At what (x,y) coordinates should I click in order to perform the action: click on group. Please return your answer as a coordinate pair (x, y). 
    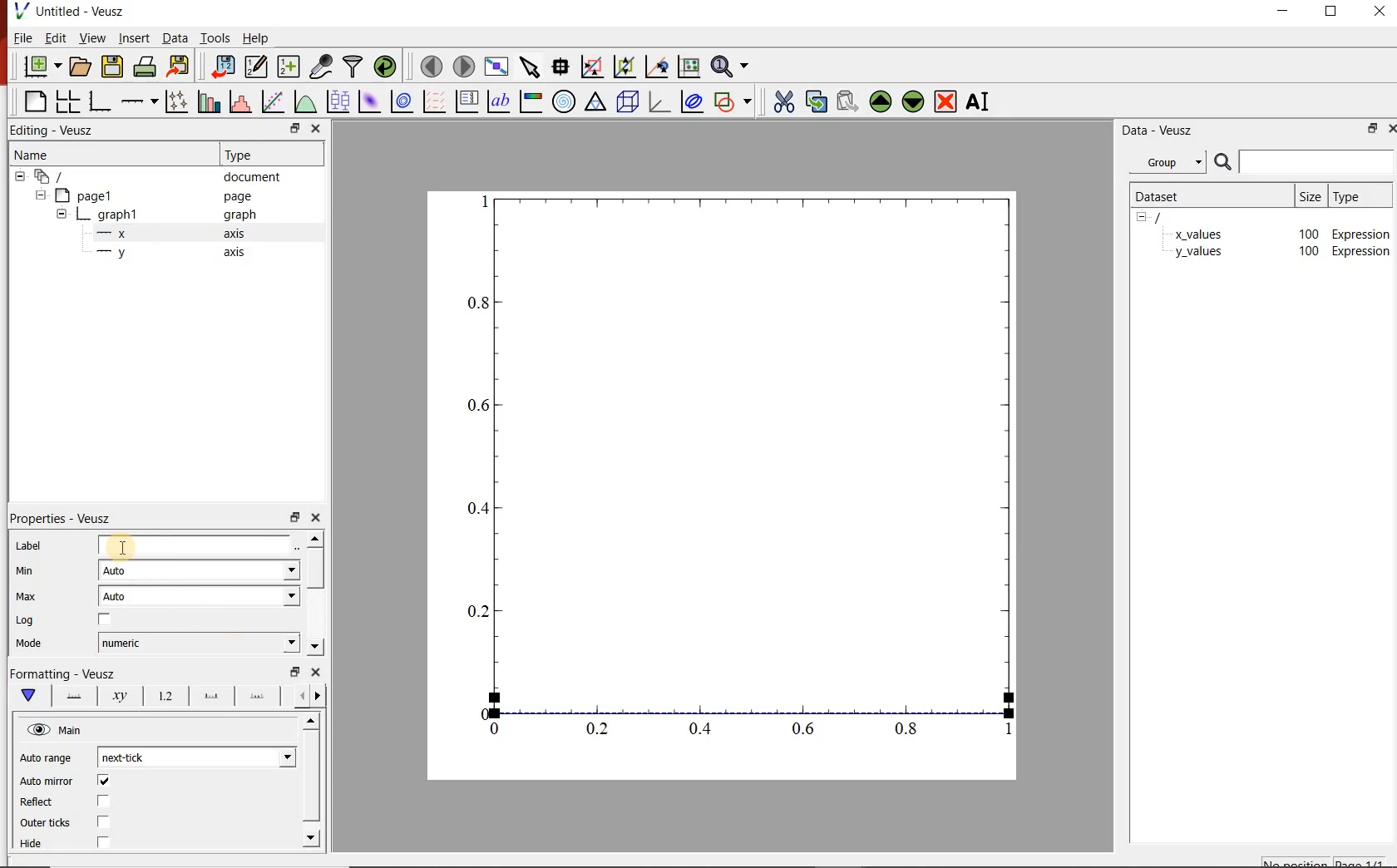
    Looking at the image, I should click on (1165, 162).